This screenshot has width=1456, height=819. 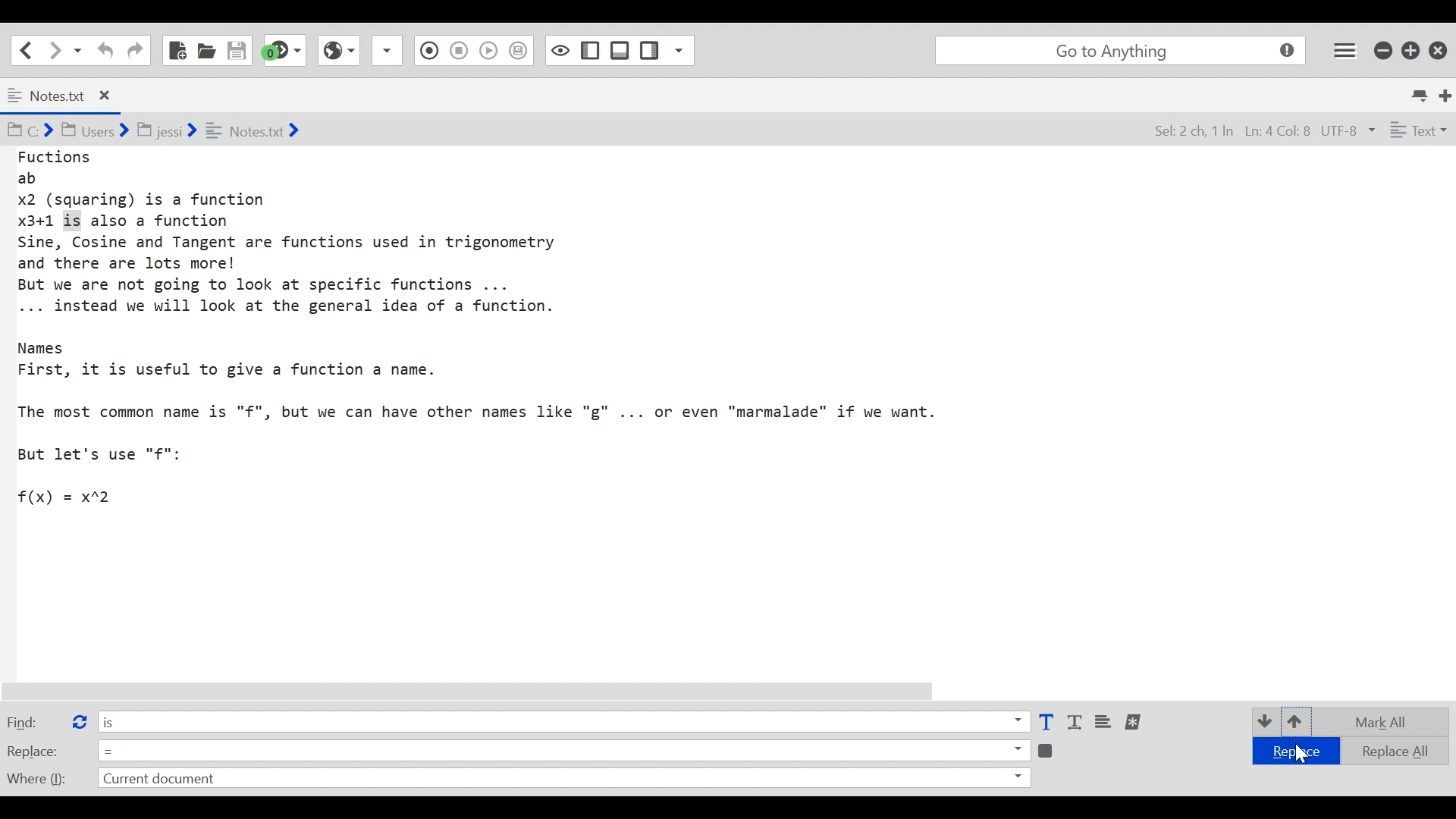 What do you see at coordinates (1134, 722) in the screenshot?
I see `more options` at bounding box center [1134, 722].